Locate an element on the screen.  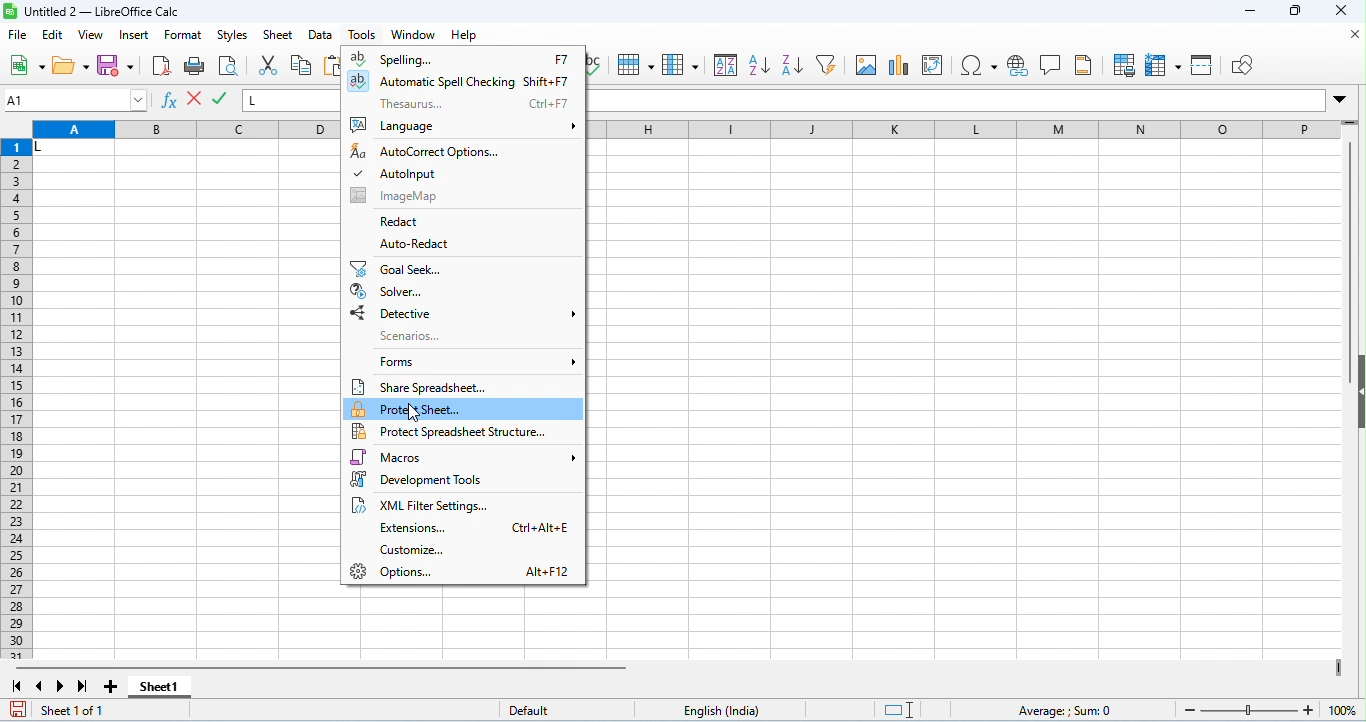
freeze rows and columns is located at coordinates (1165, 66).